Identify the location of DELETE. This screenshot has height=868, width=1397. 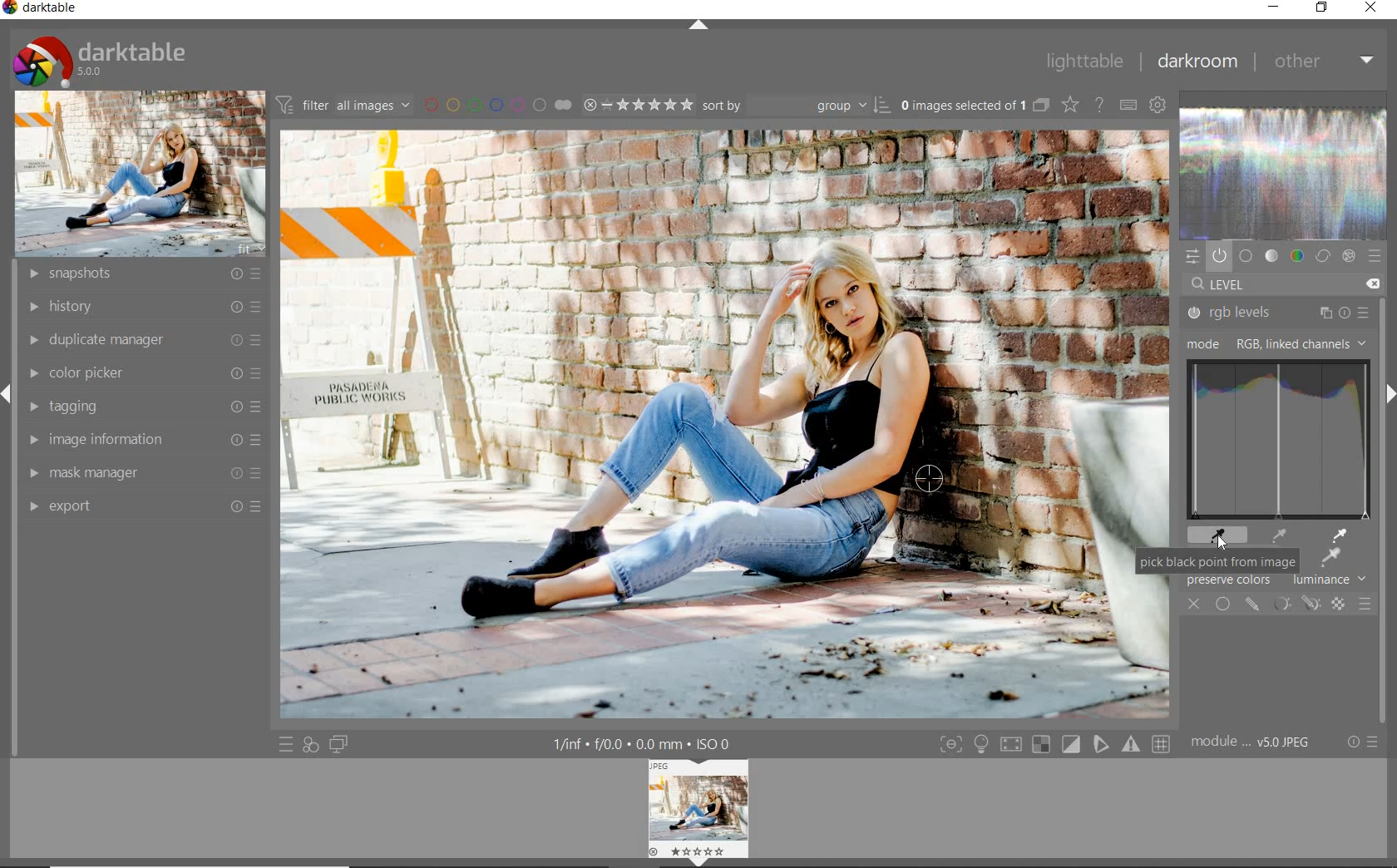
(1373, 284).